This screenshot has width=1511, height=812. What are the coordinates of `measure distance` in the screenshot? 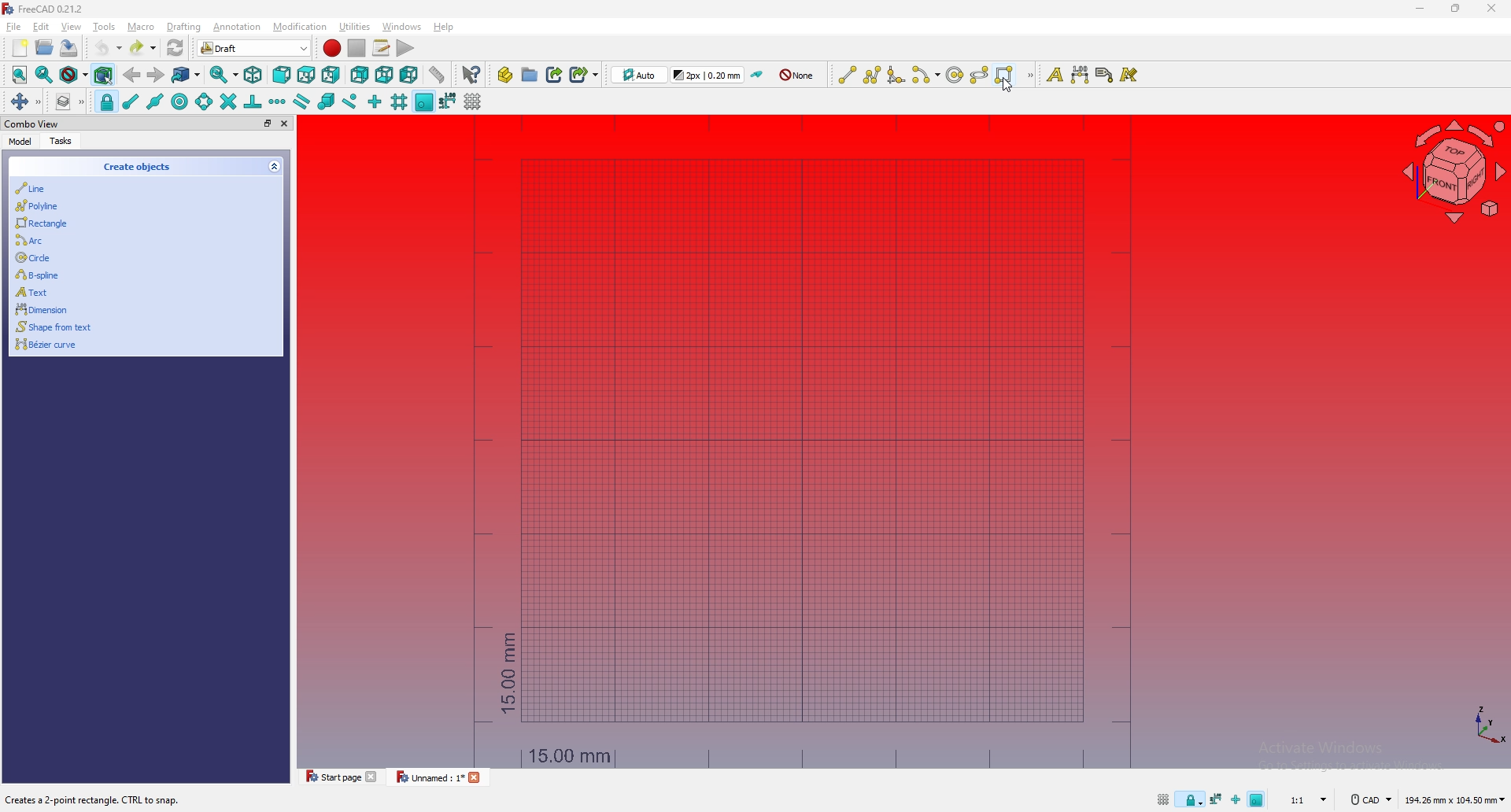 It's located at (437, 74).